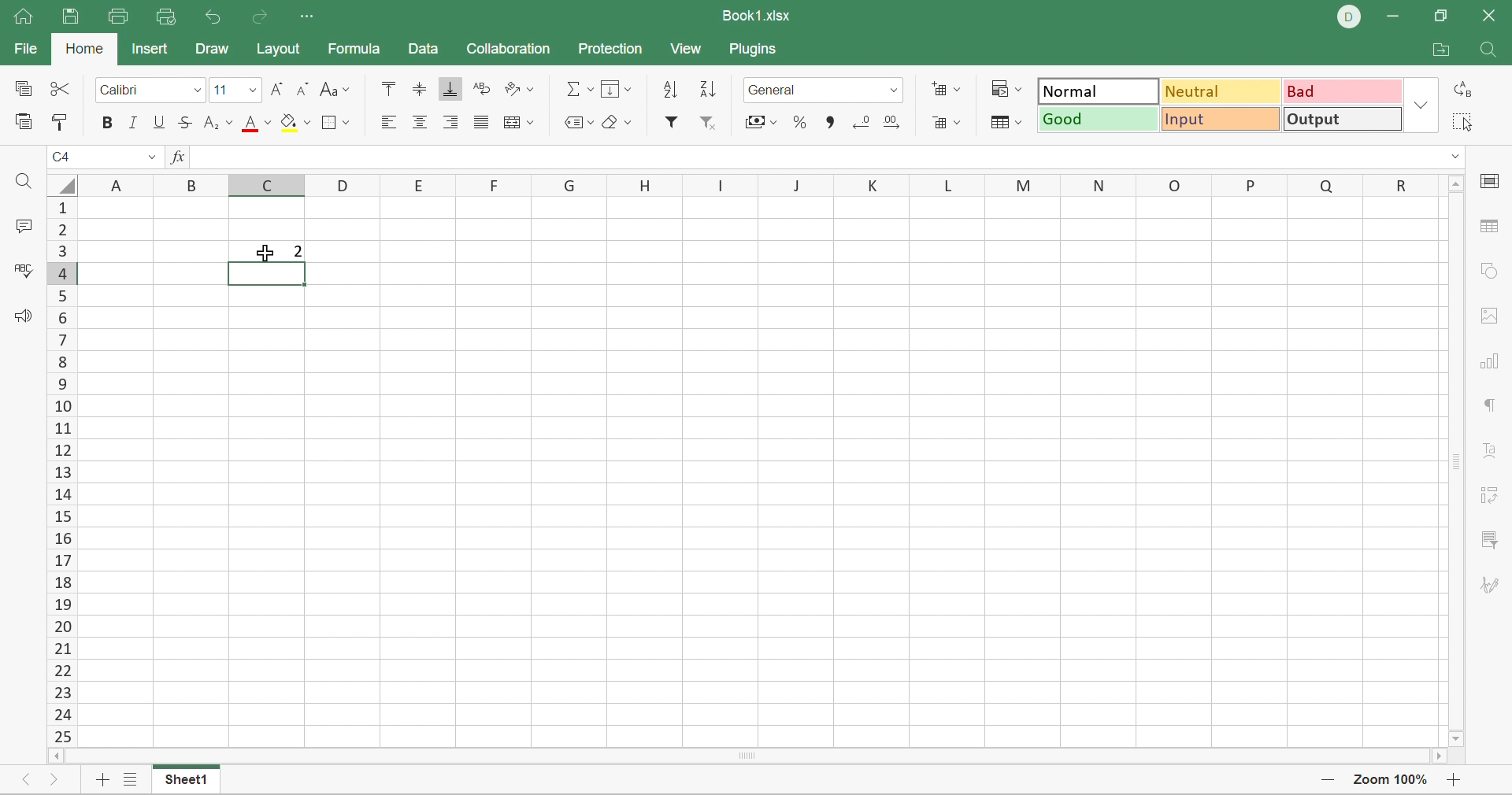 Image resolution: width=1512 pixels, height=795 pixels. I want to click on Sheet1, so click(190, 781).